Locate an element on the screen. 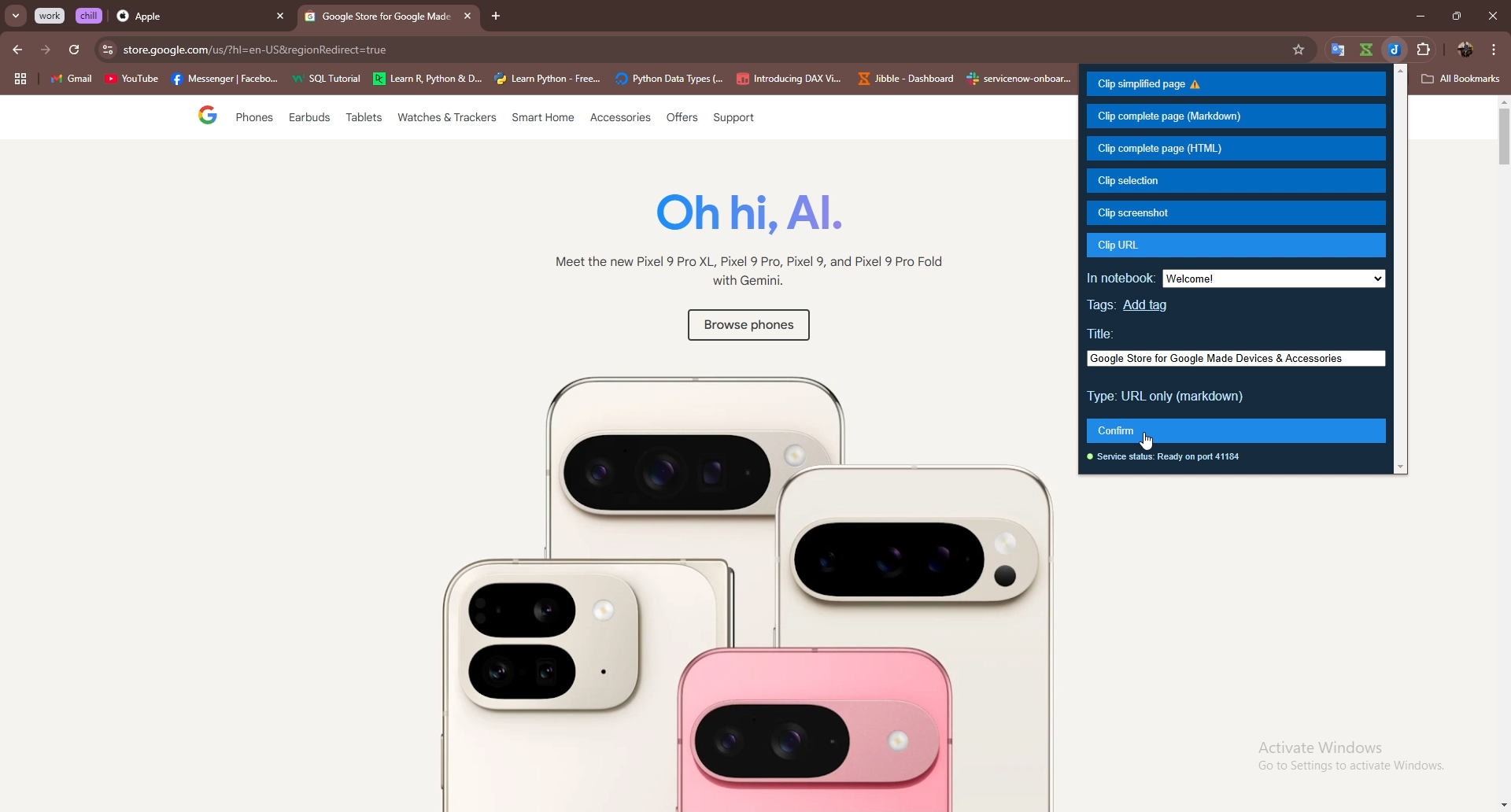 This screenshot has height=812, width=1511. work is located at coordinates (51, 16).